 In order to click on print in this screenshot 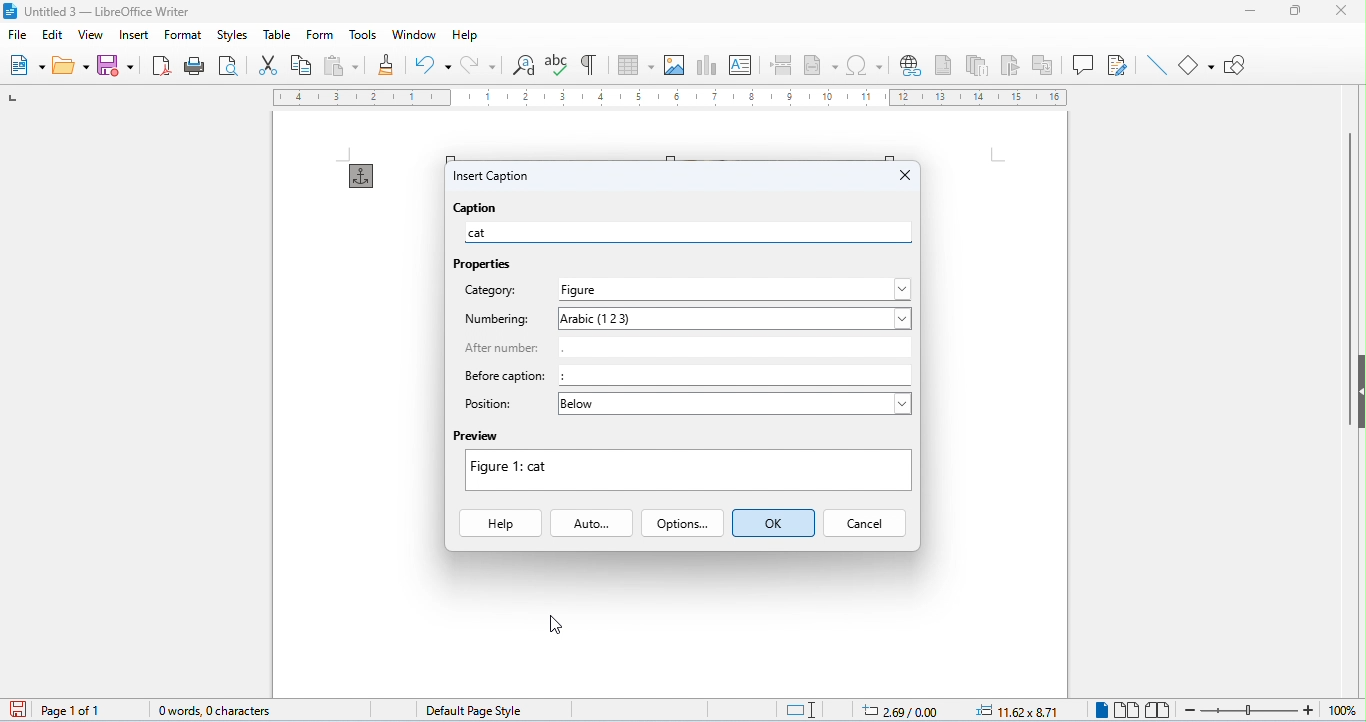, I will do `click(197, 66)`.